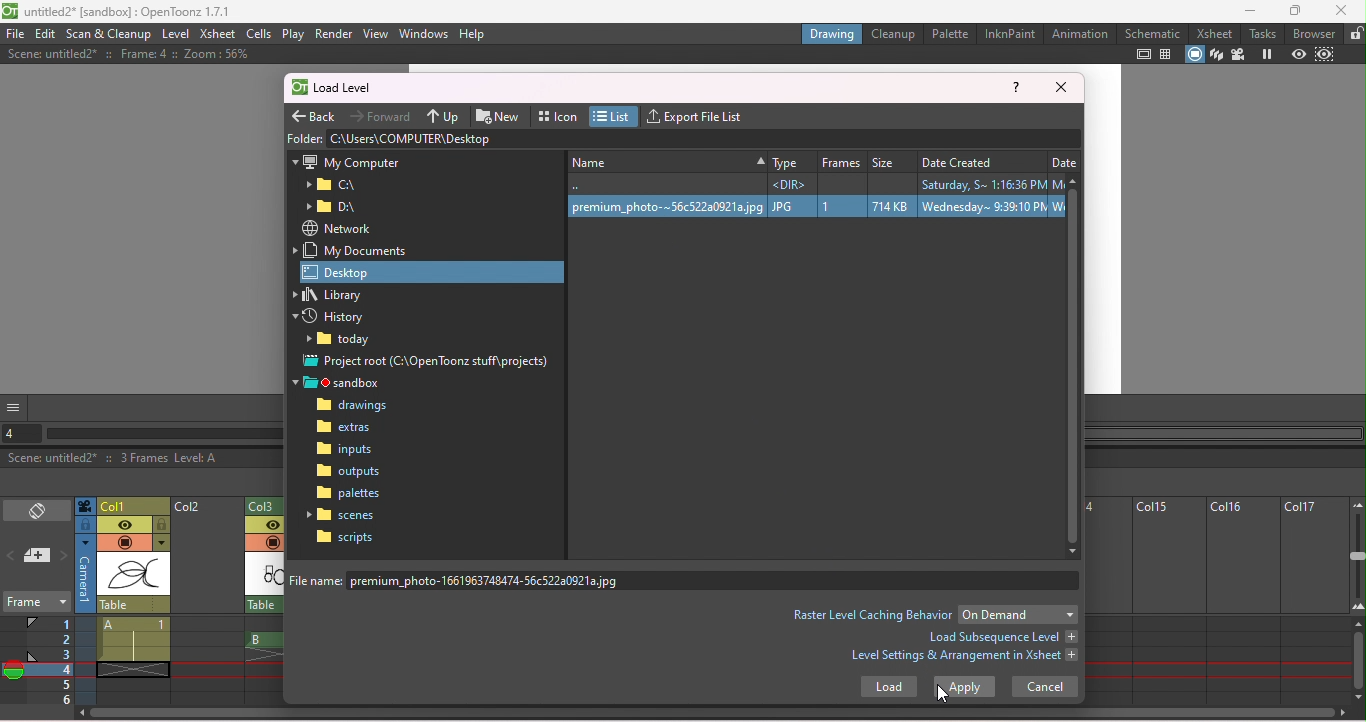  Describe the element at coordinates (1165, 601) in the screenshot. I see `Column 15` at that location.